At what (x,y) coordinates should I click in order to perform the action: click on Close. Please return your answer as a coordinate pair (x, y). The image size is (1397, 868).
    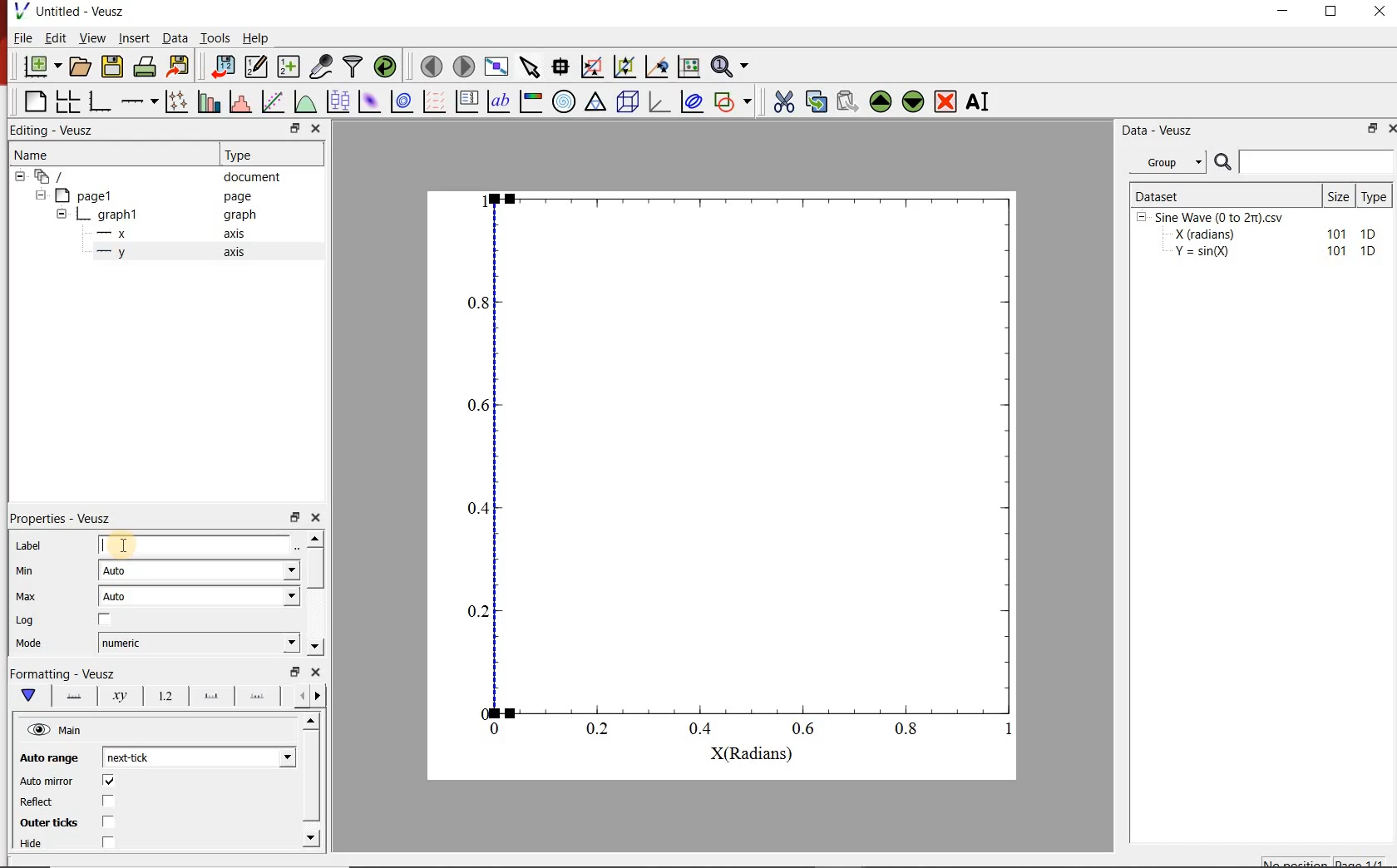
    Looking at the image, I should click on (317, 672).